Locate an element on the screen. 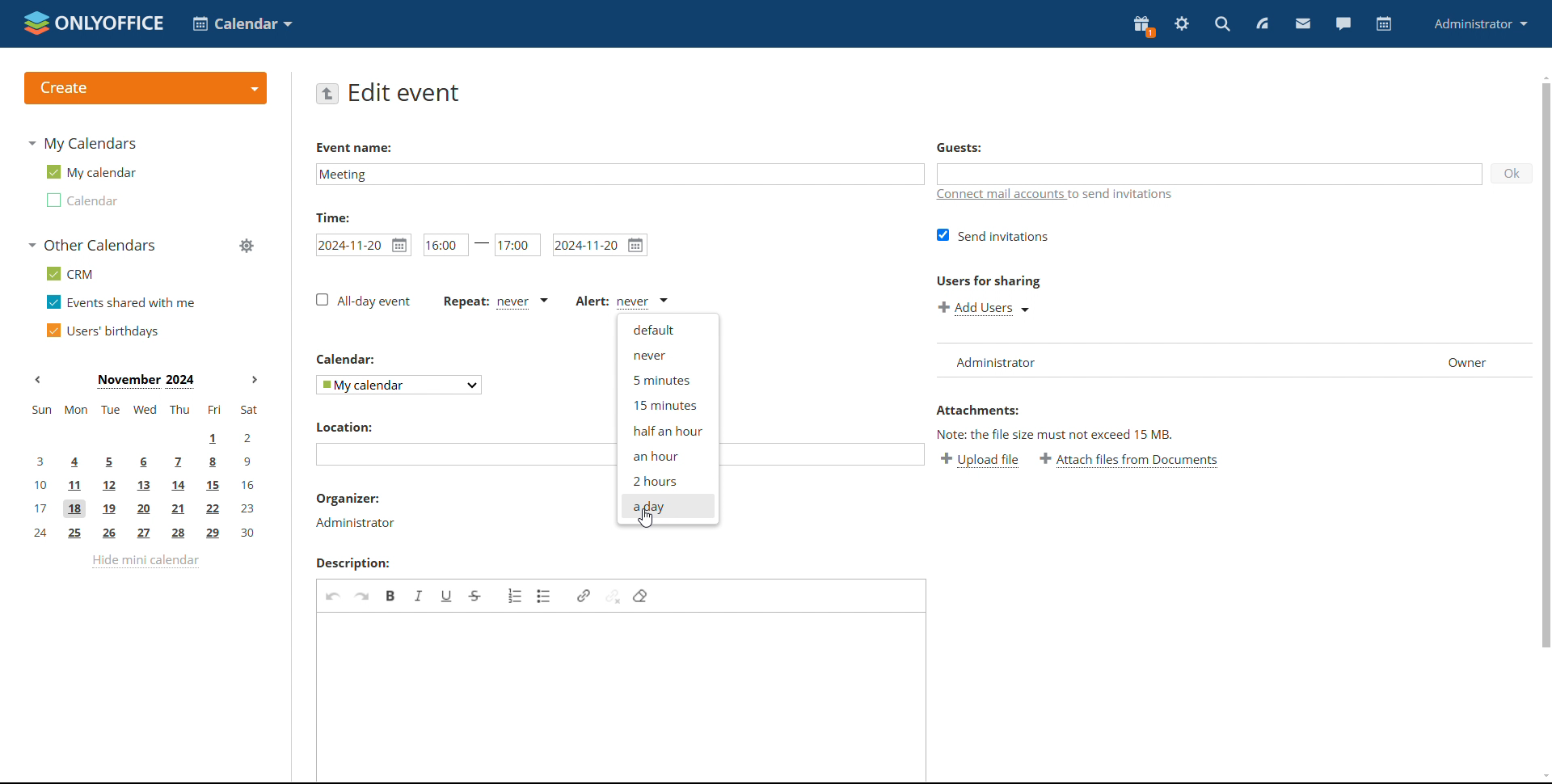 This screenshot has height=784, width=1552. feed is located at coordinates (1265, 24).